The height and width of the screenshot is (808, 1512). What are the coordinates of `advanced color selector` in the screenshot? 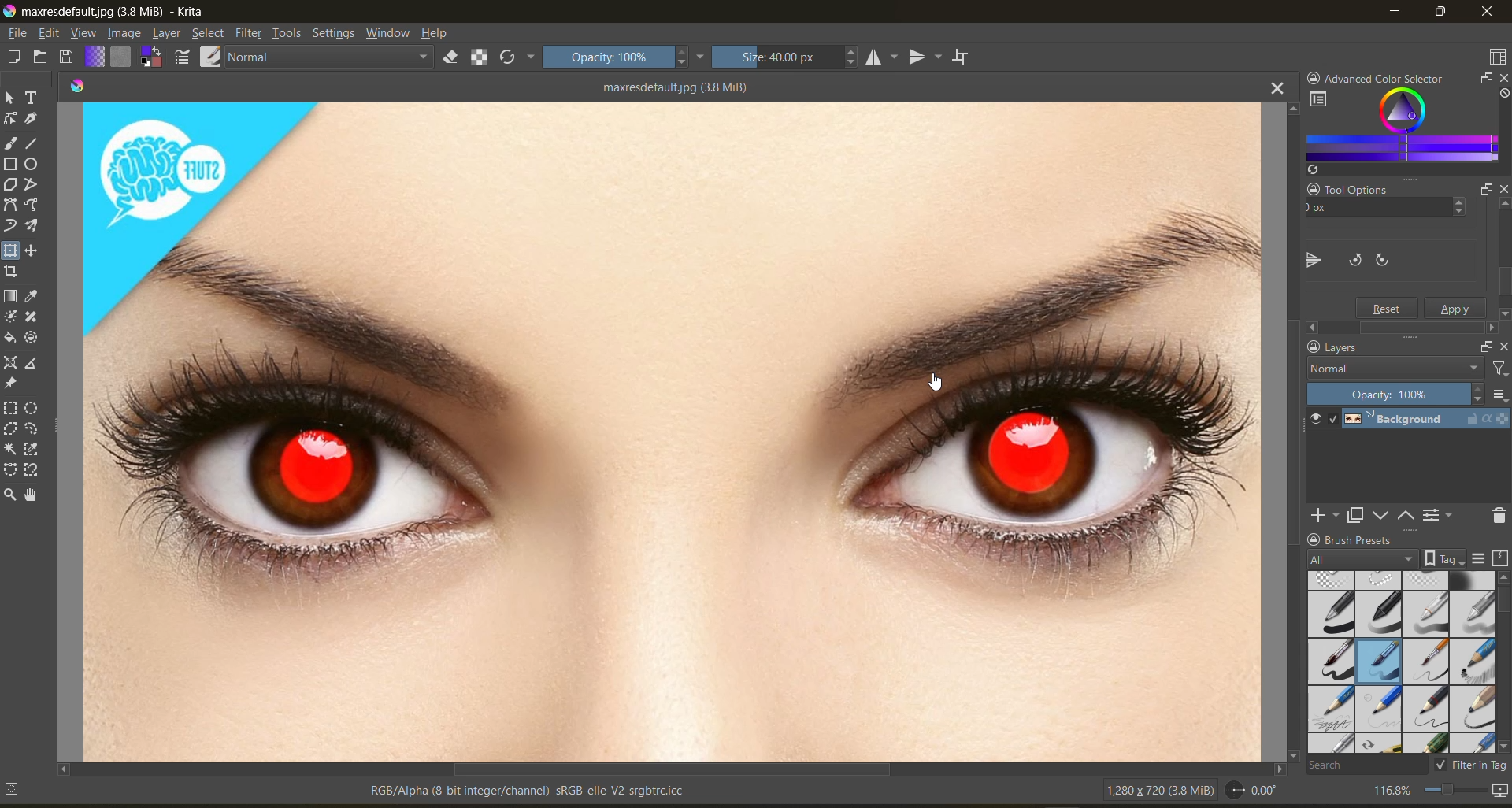 It's located at (1399, 131).